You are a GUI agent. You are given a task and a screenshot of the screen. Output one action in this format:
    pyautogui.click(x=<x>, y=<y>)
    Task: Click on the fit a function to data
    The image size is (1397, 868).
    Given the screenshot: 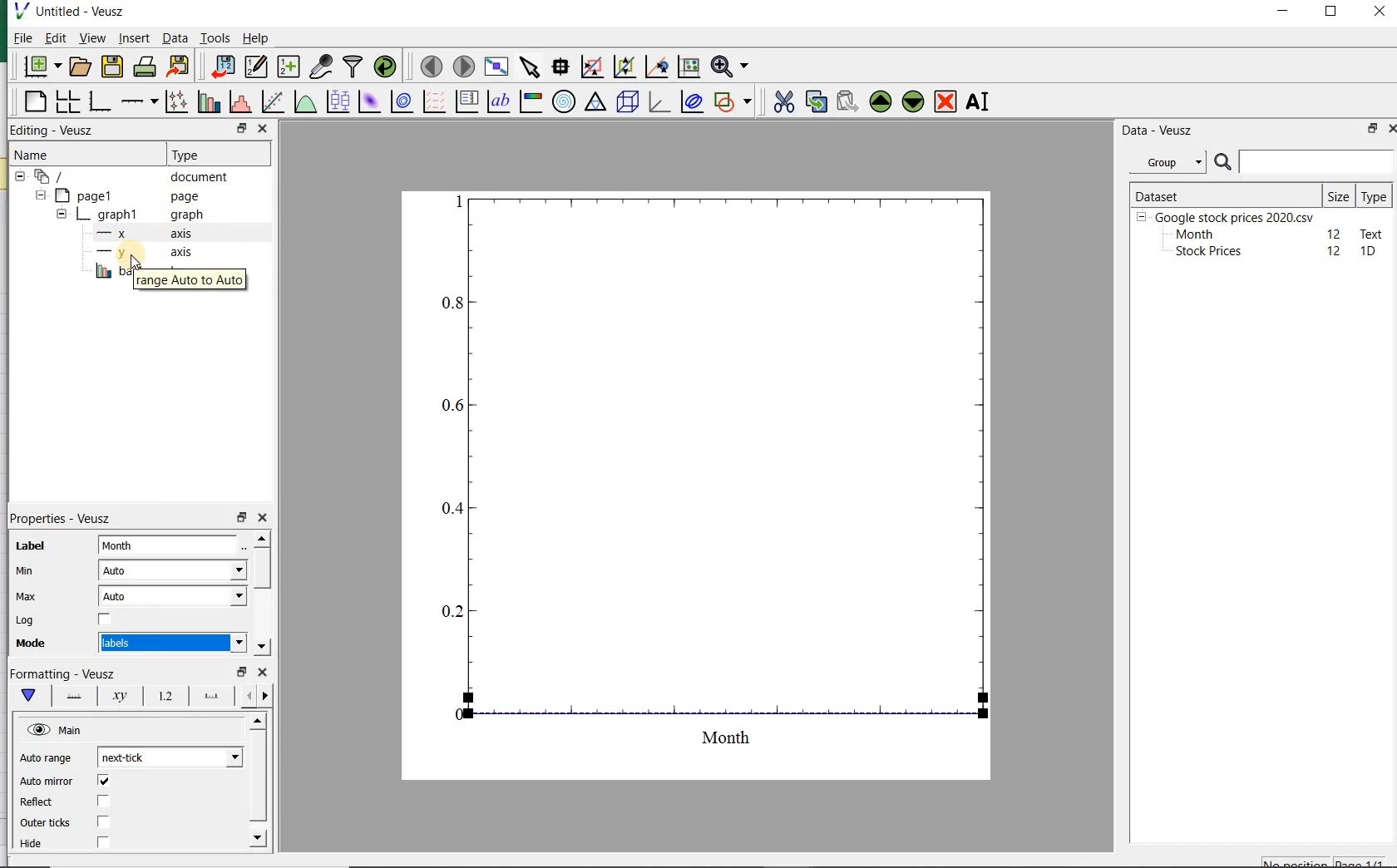 What is the action you would take?
    pyautogui.click(x=271, y=102)
    